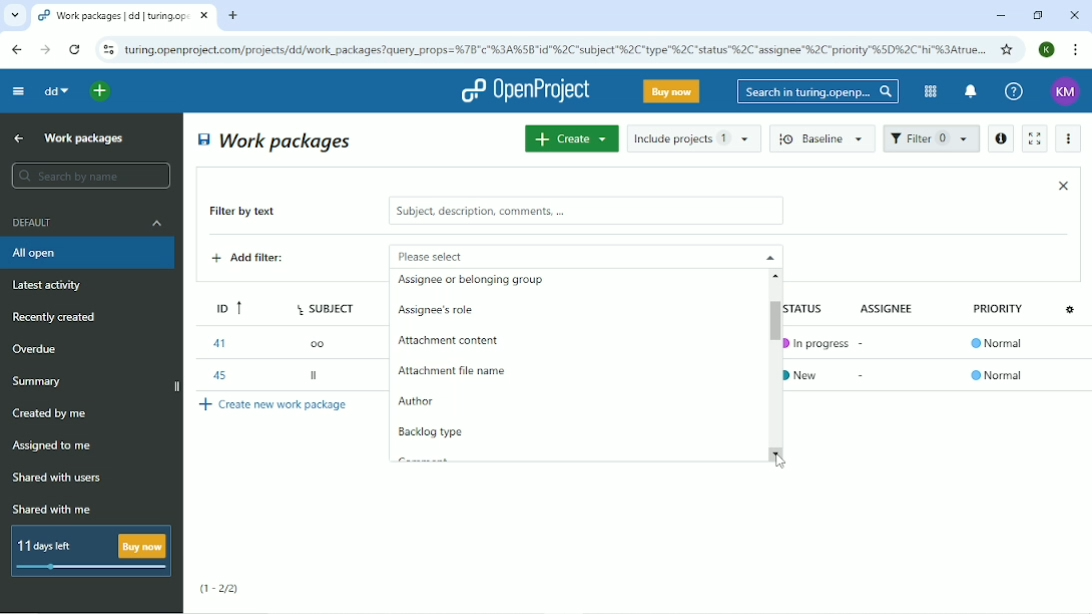 This screenshot has height=614, width=1092. What do you see at coordinates (824, 138) in the screenshot?
I see `Baseline` at bounding box center [824, 138].